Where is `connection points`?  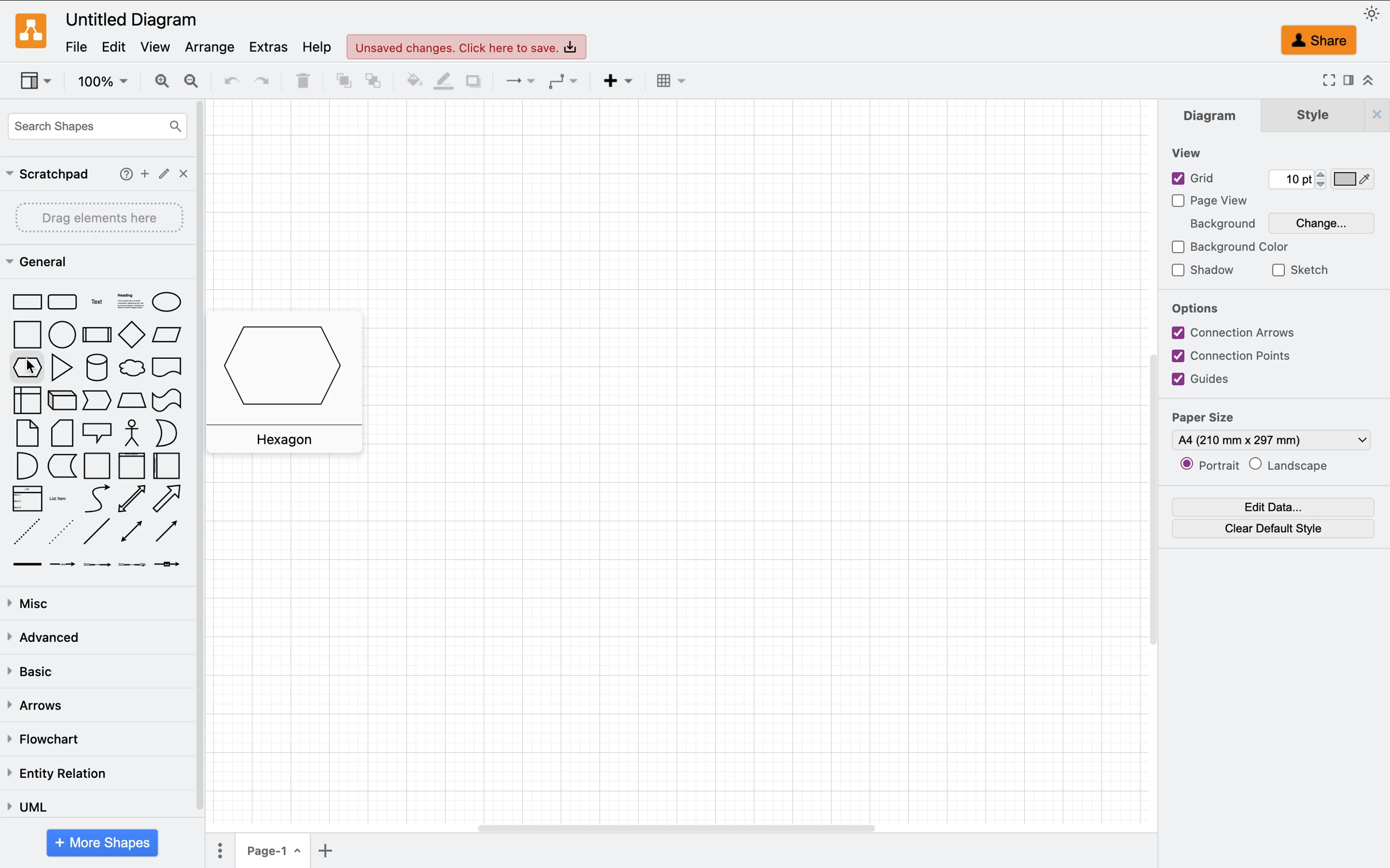
connection points is located at coordinates (1236, 355).